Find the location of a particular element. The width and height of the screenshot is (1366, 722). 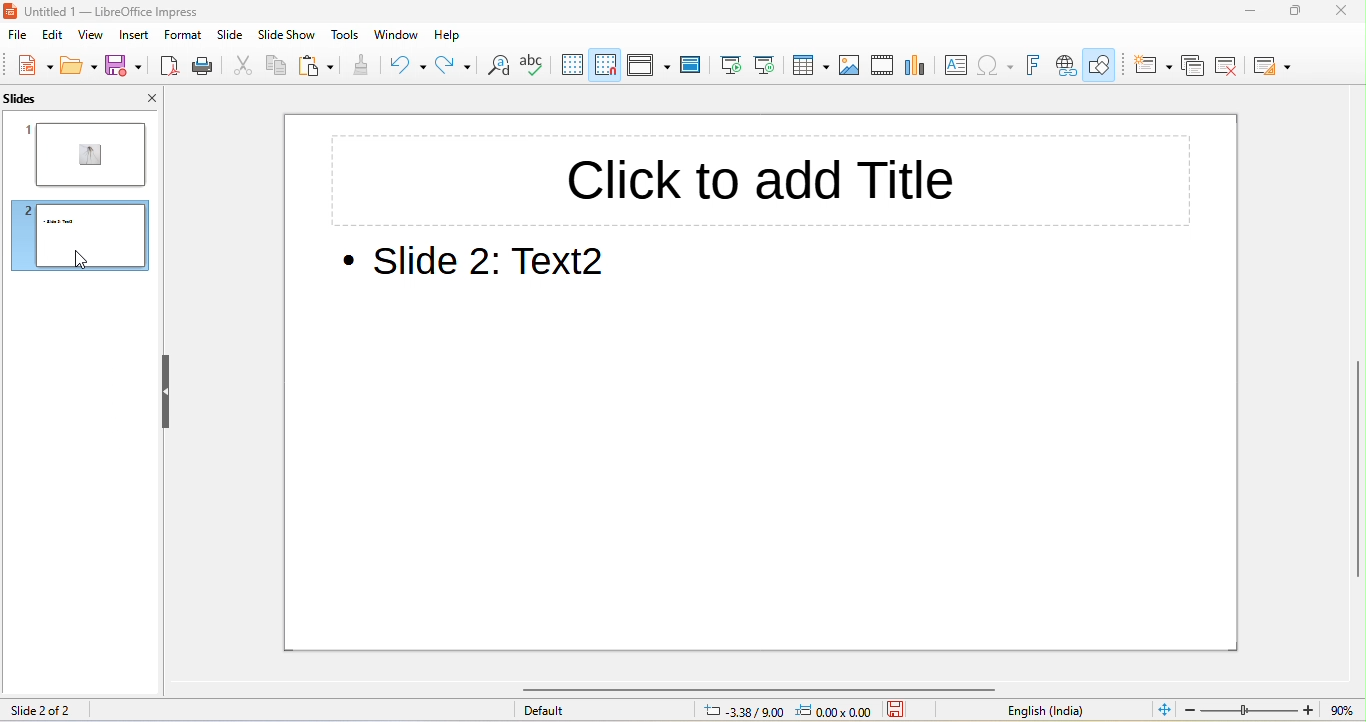

delete slide is located at coordinates (1236, 67).